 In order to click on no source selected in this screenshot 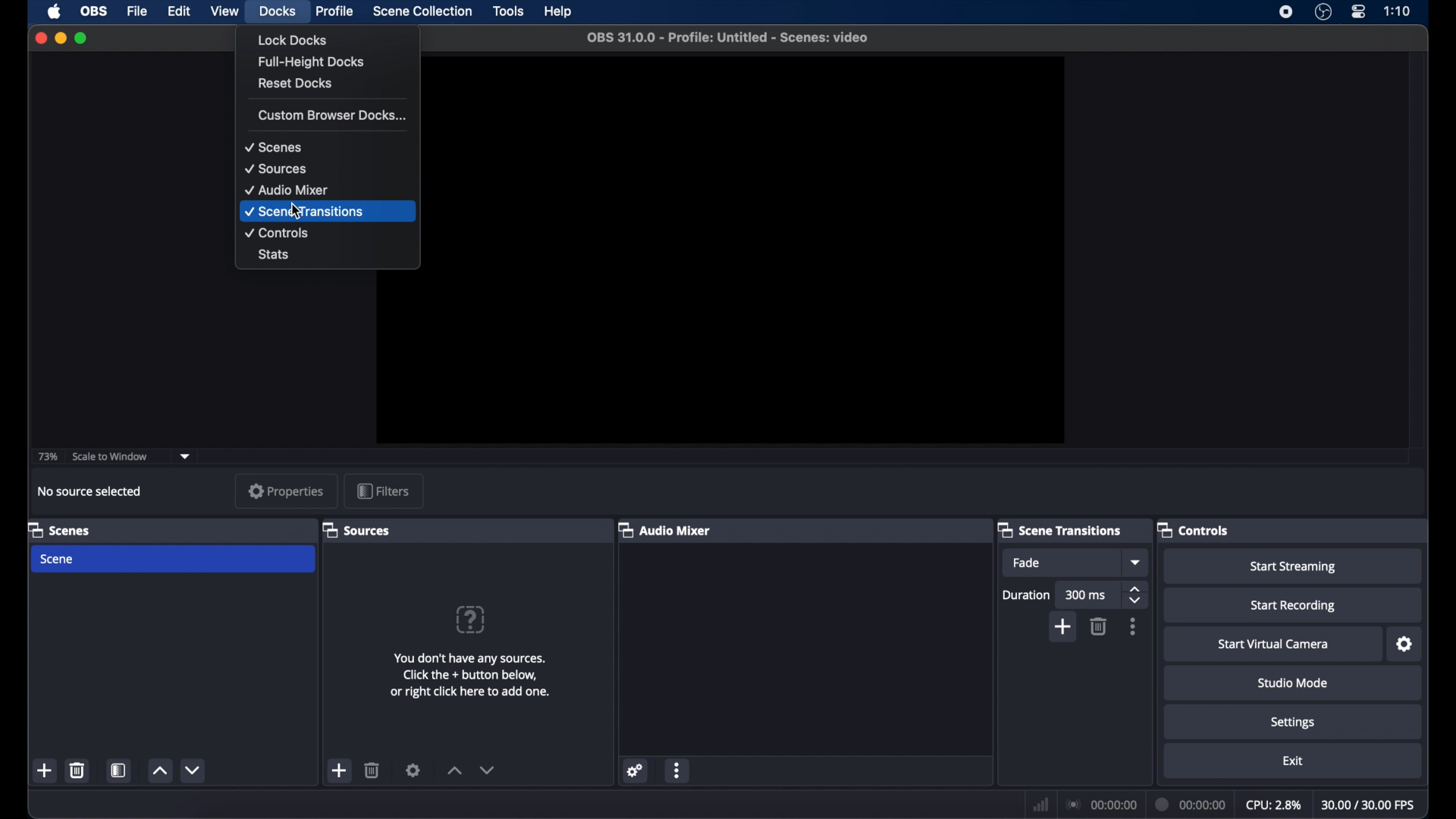, I will do `click(90, 491)`.